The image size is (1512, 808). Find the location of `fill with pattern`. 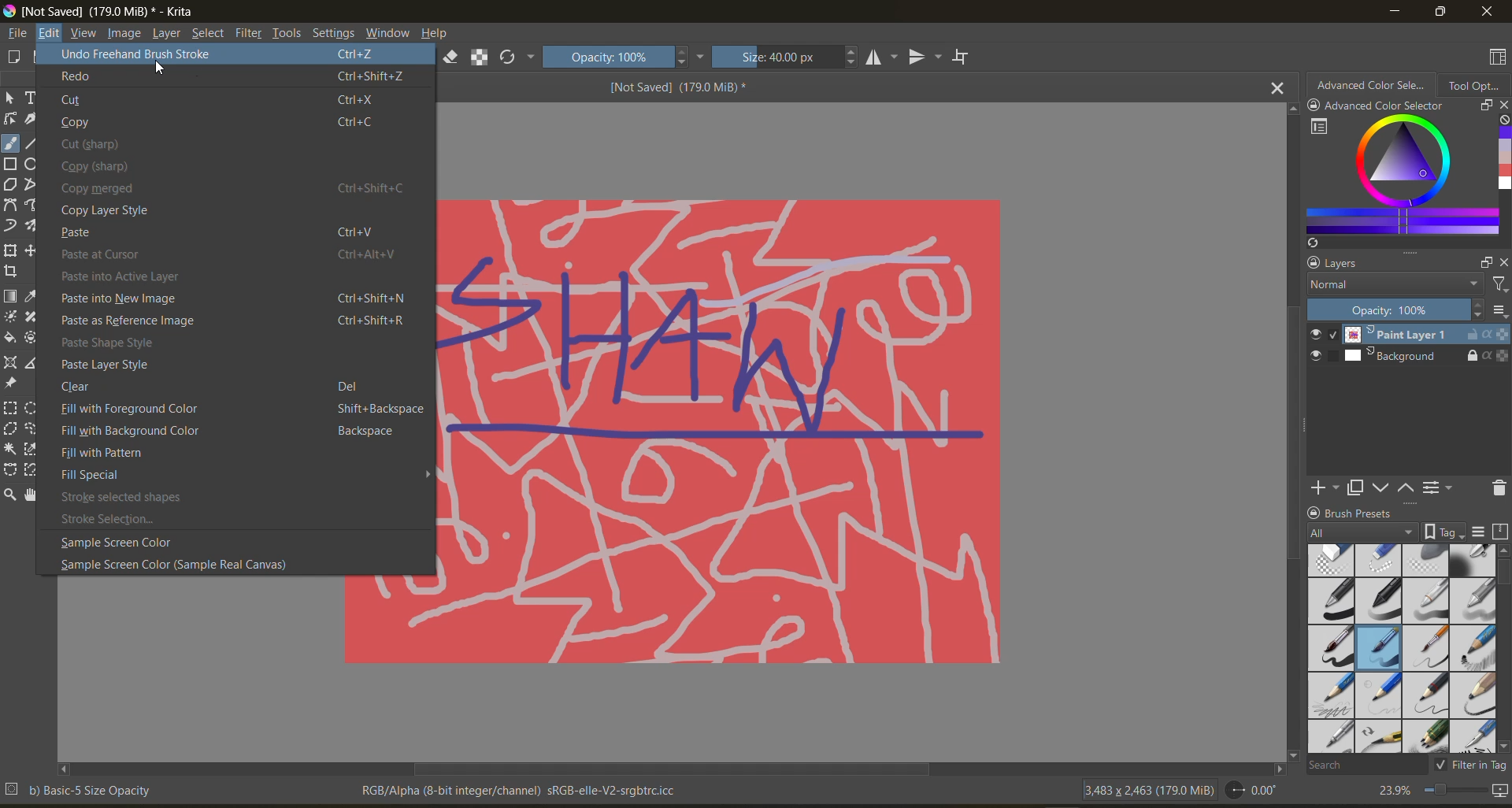

fill with pattern is located at coordinates (104, 452).